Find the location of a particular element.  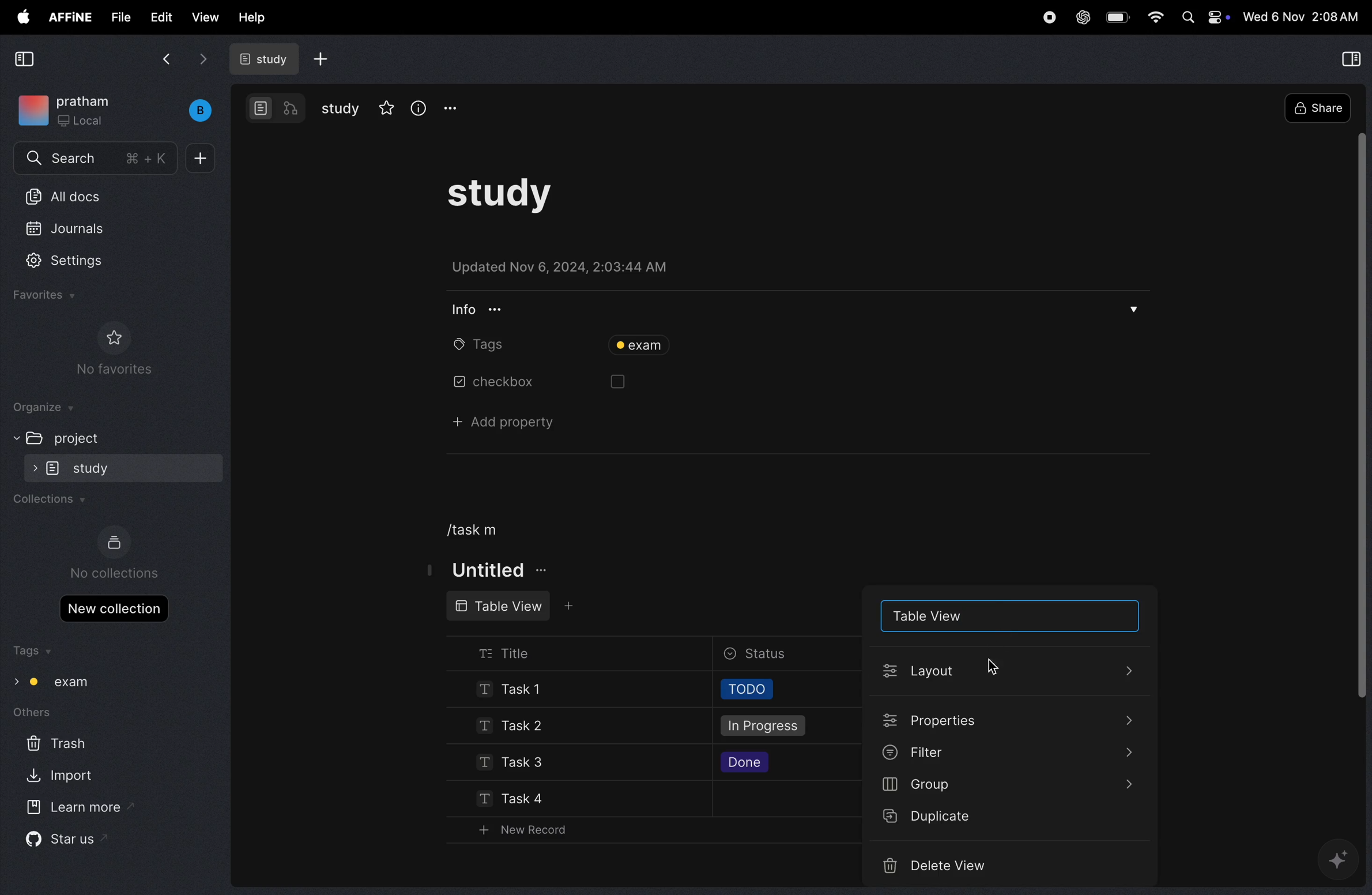

info is located at coordinates (472, 310).